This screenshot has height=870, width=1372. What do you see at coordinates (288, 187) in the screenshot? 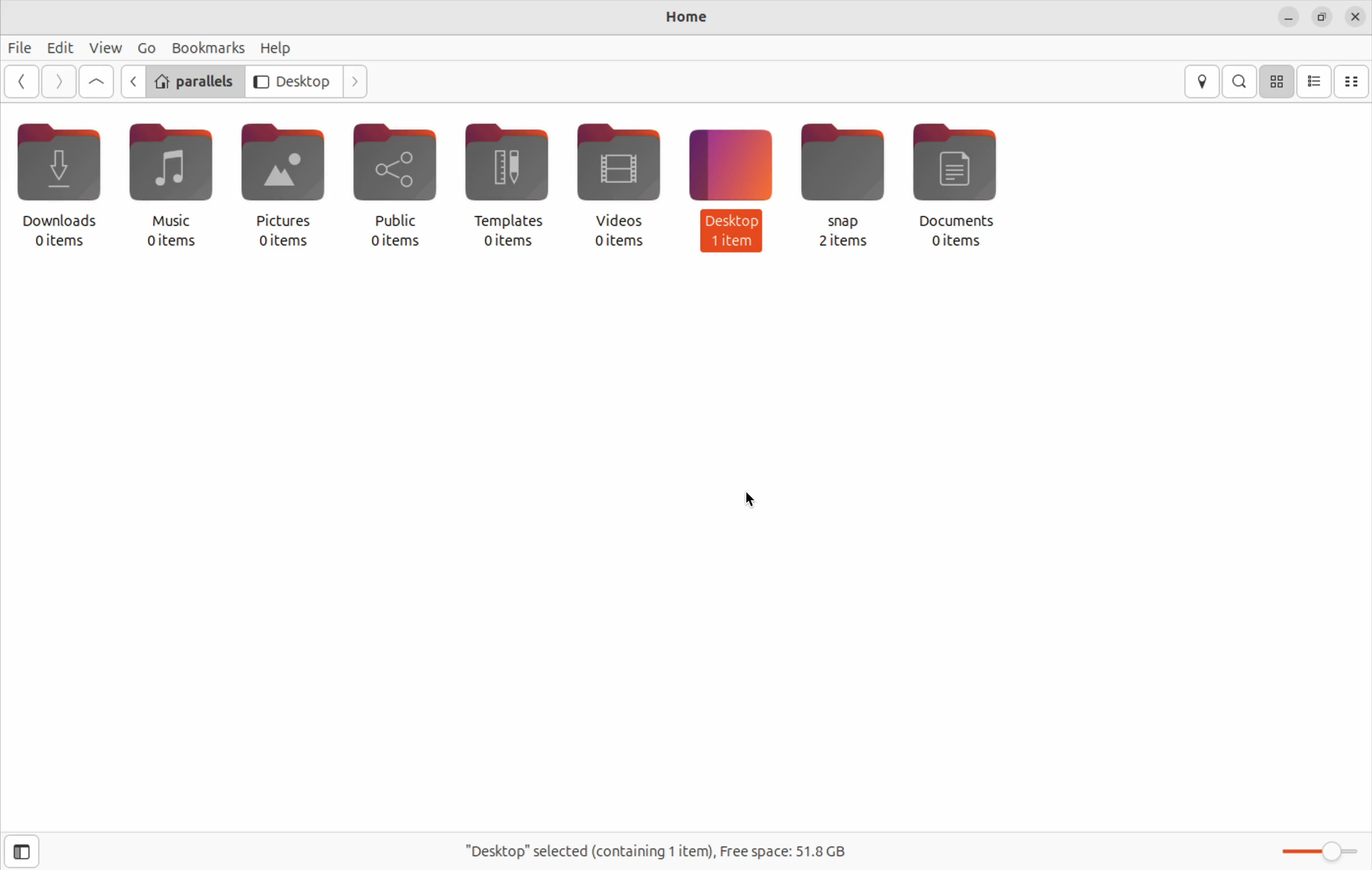
I see `picture 0 items` at bounding box center [288, 187].